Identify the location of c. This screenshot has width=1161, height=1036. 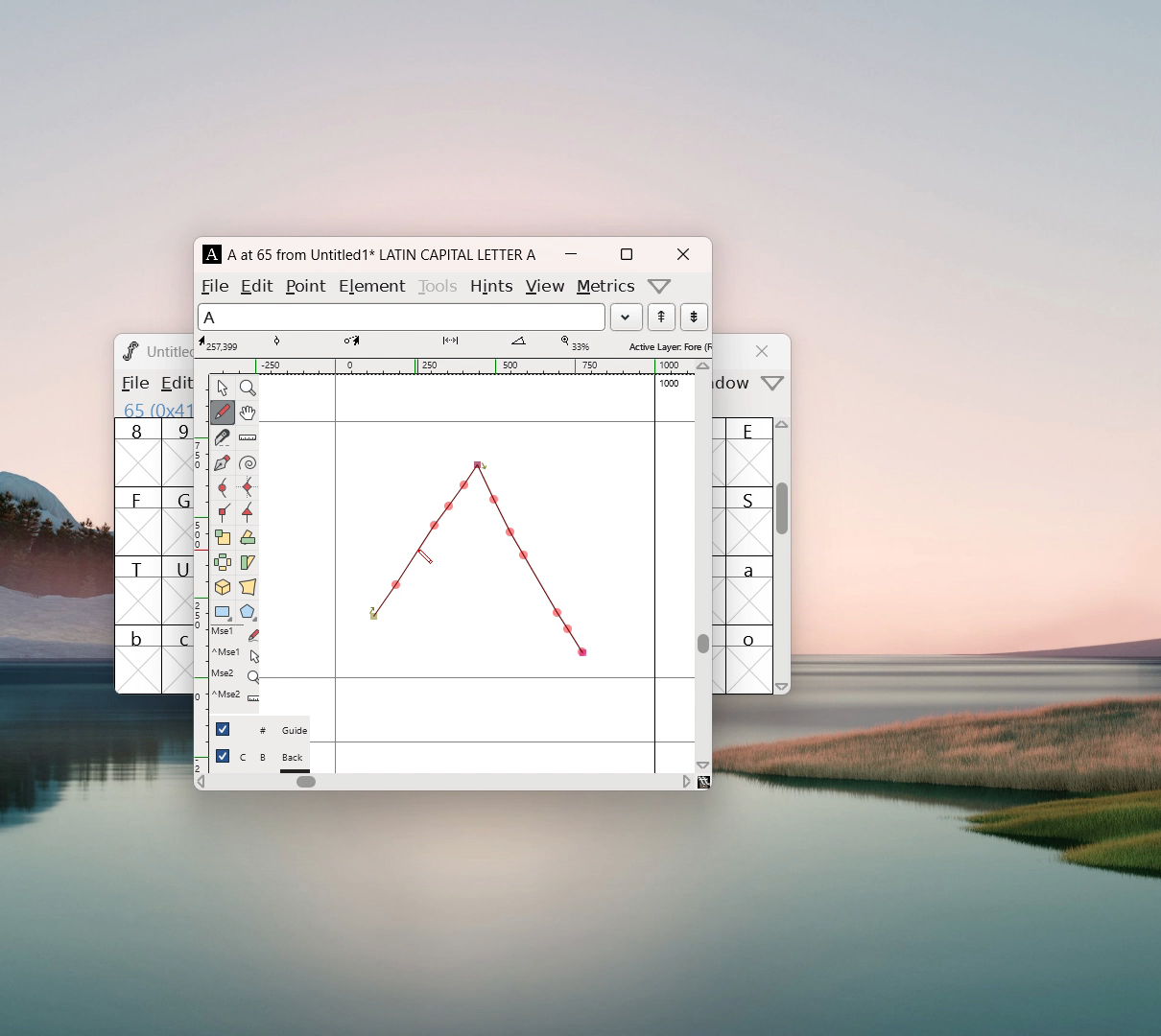
(178, 660).